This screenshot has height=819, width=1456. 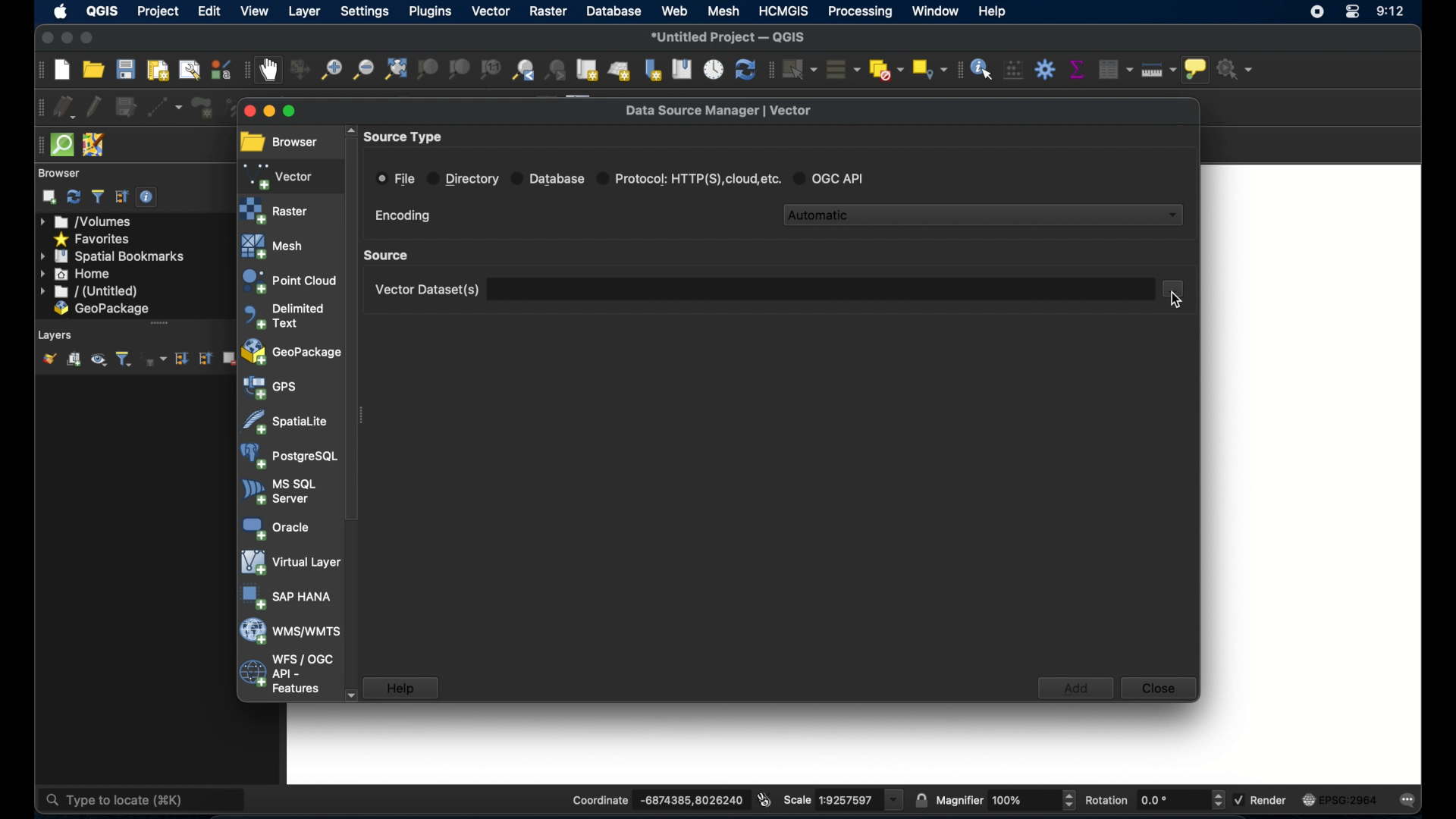 What do you see at coordinates (1411, 801) in the screenshot?
I see `messages` at bounding box center [1411, 801].